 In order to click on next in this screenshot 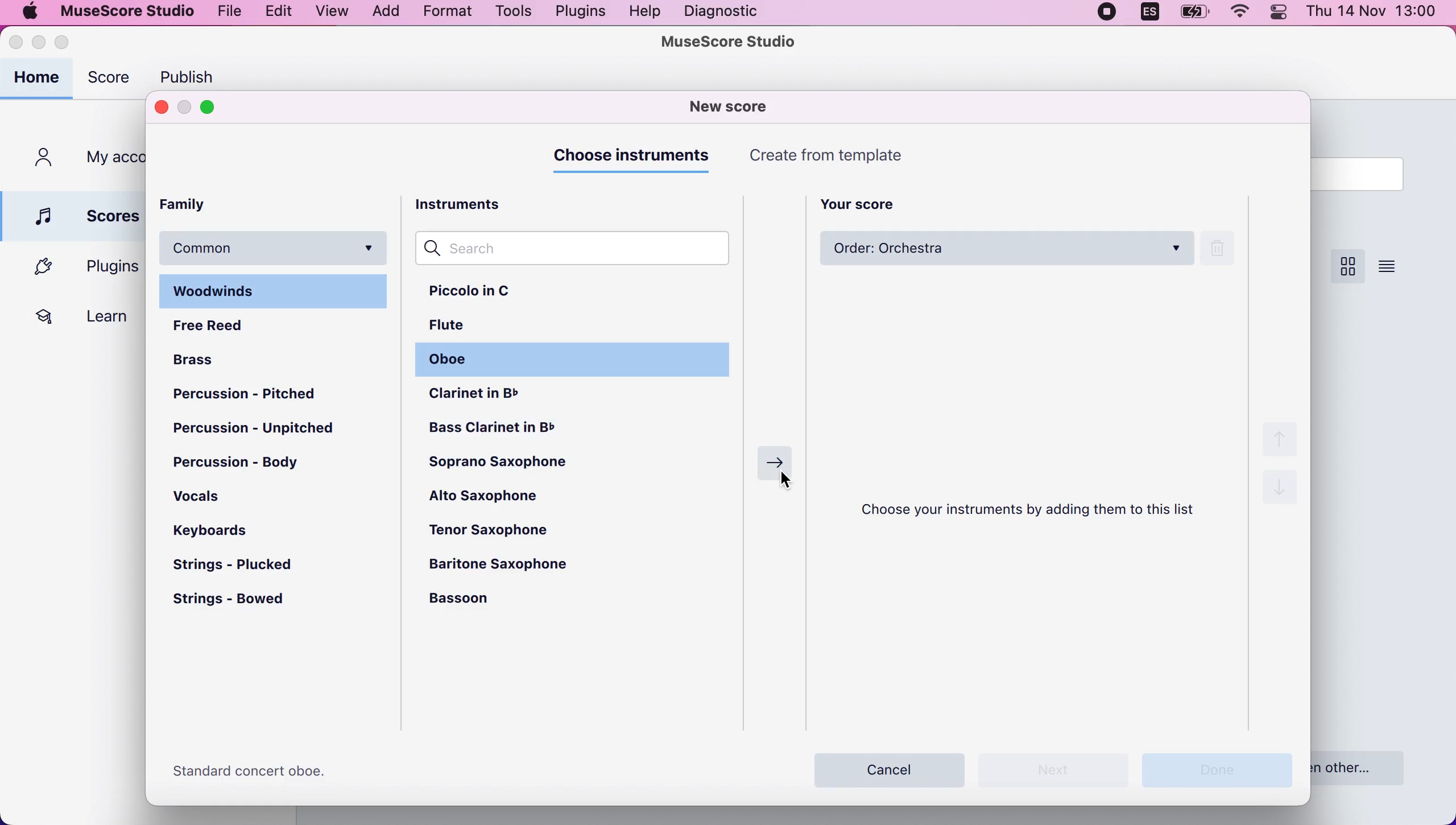, I will do `click(776, 464)`.